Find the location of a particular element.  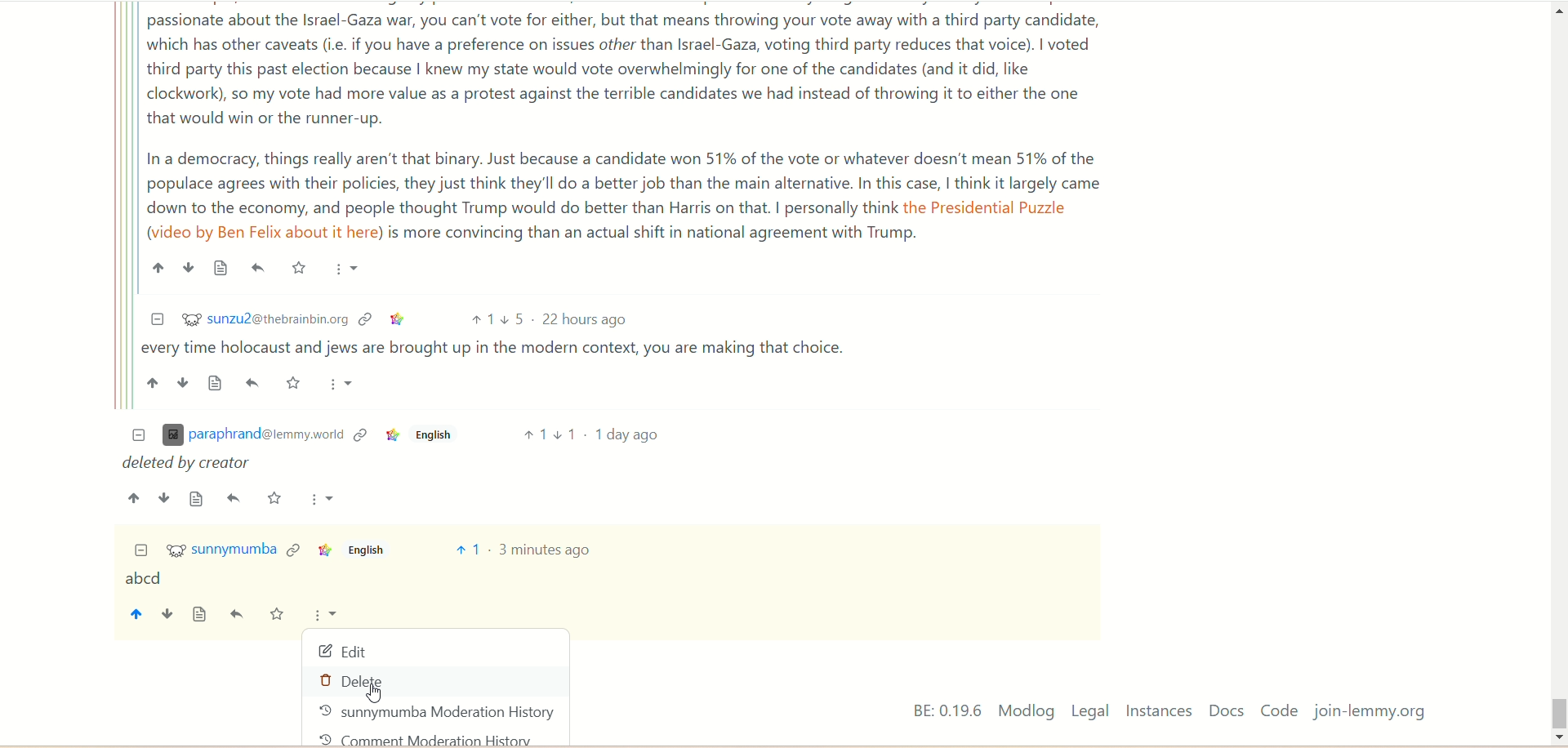

vote is located at coordinates (467, 550).